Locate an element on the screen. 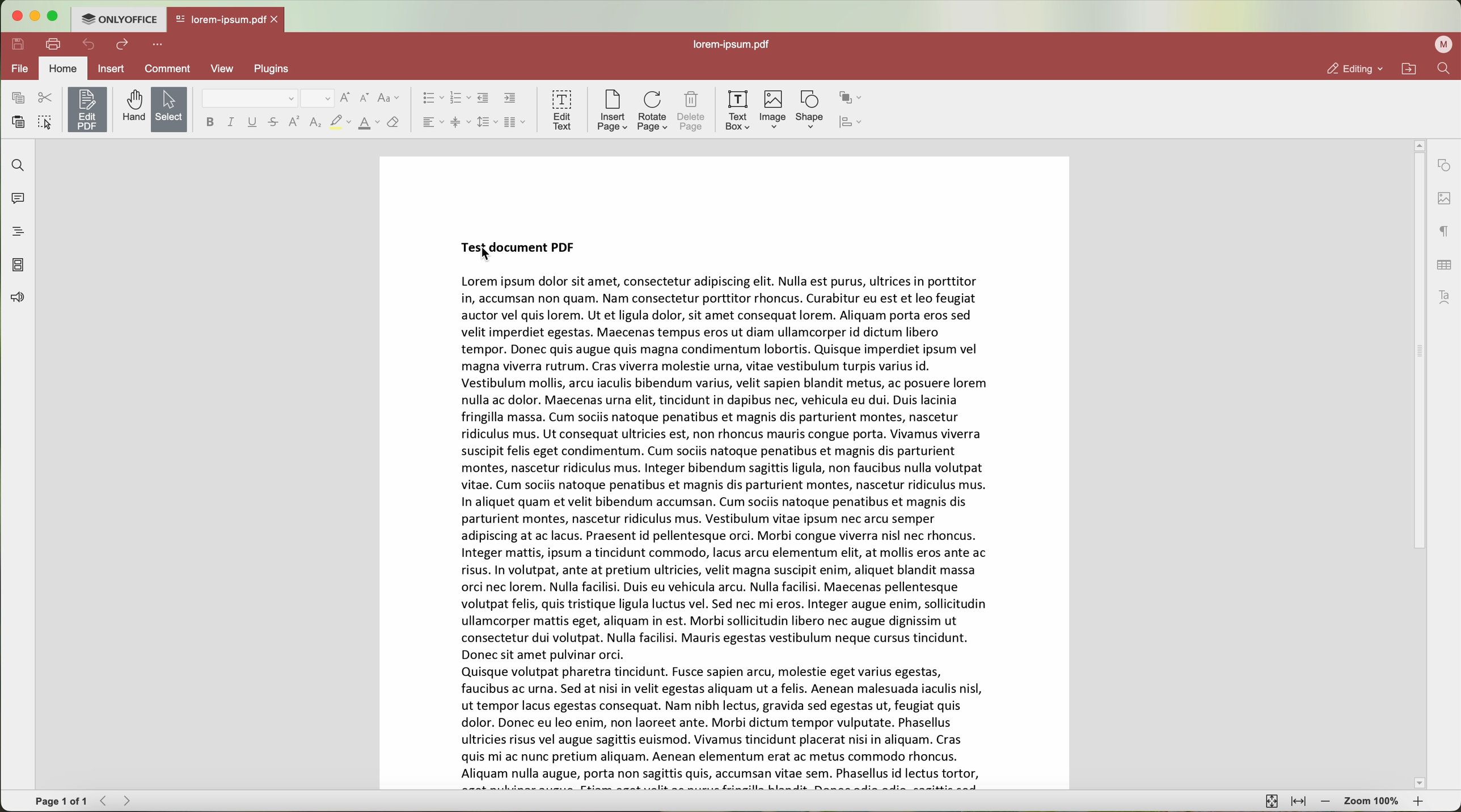 The width and height of the screenshot is (1461, 812). view is located at coordinates (228, 69).